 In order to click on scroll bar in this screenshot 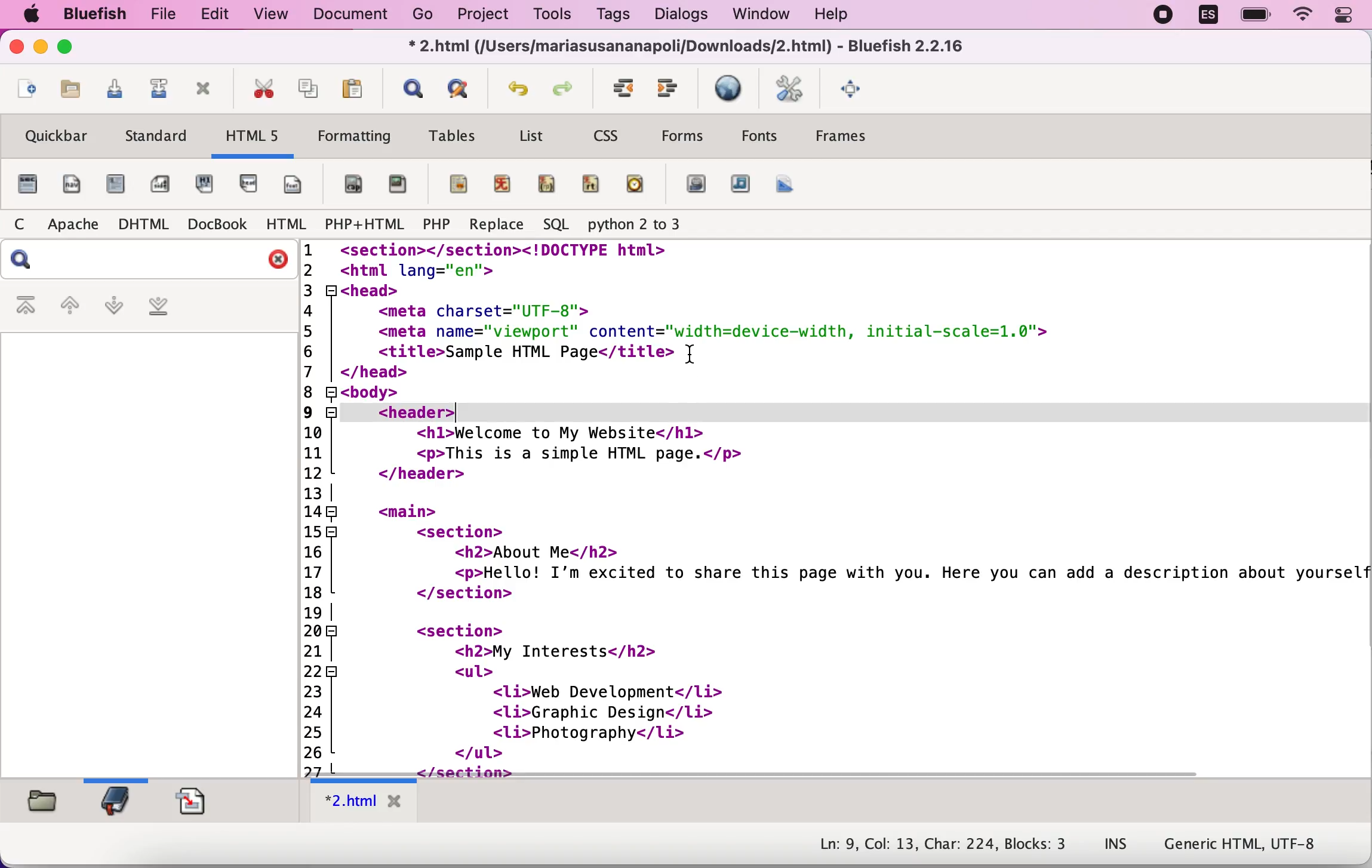, I will do `click(750, 772)`.